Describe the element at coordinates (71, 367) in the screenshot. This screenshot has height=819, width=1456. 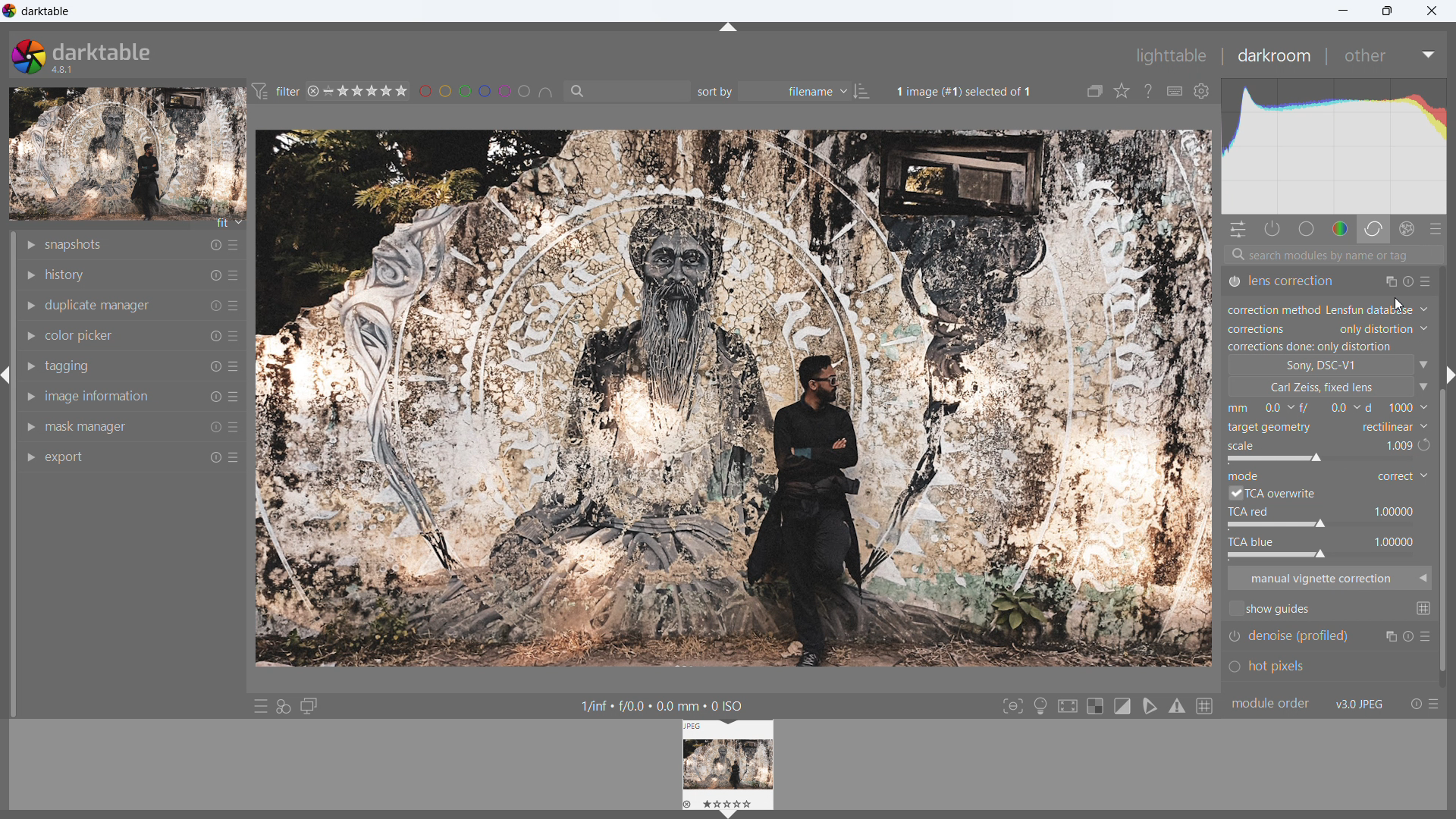
I see `tagging` at that location.